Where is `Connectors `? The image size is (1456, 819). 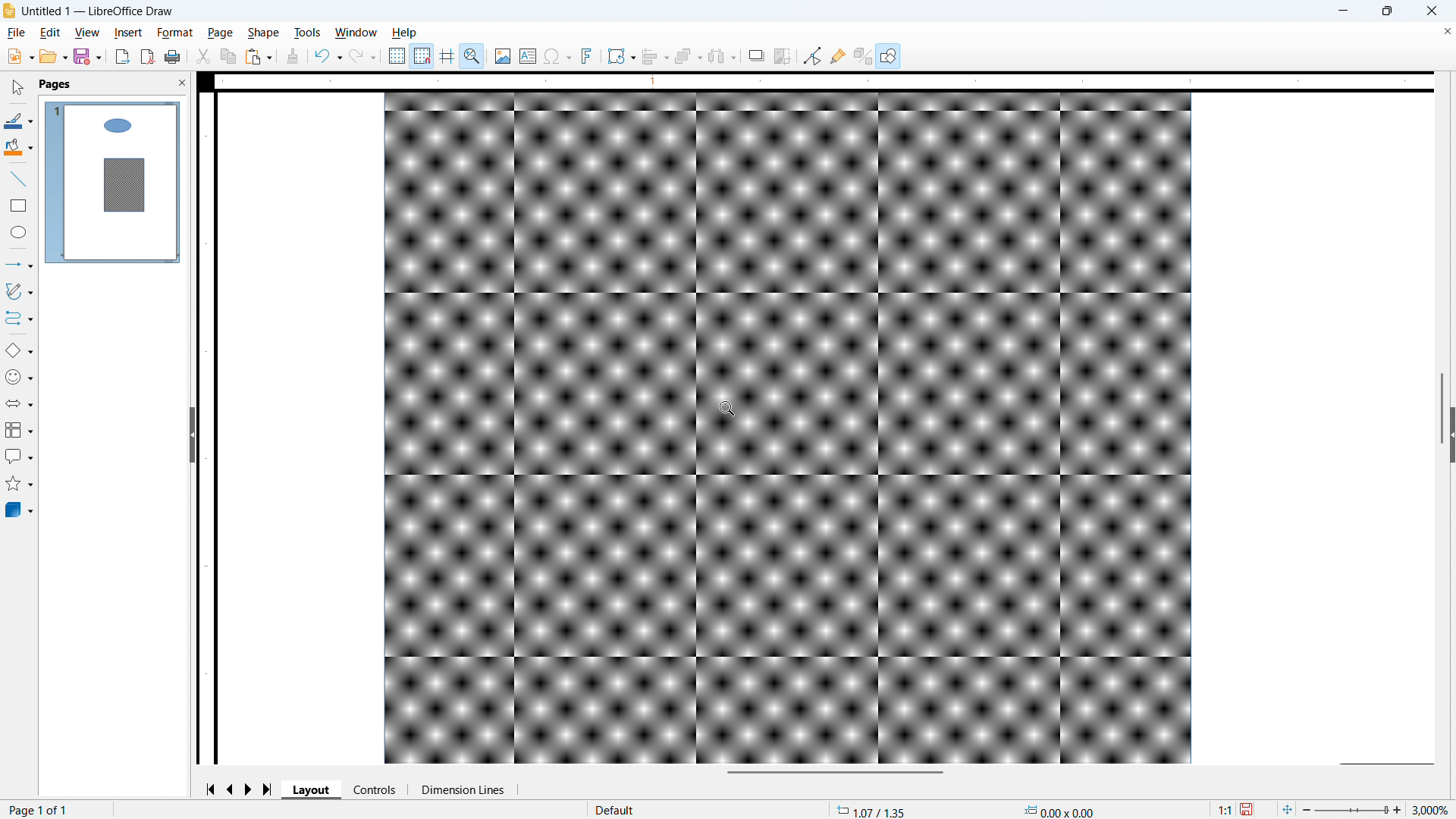 Connectors  is located at coordinates (19, 318).